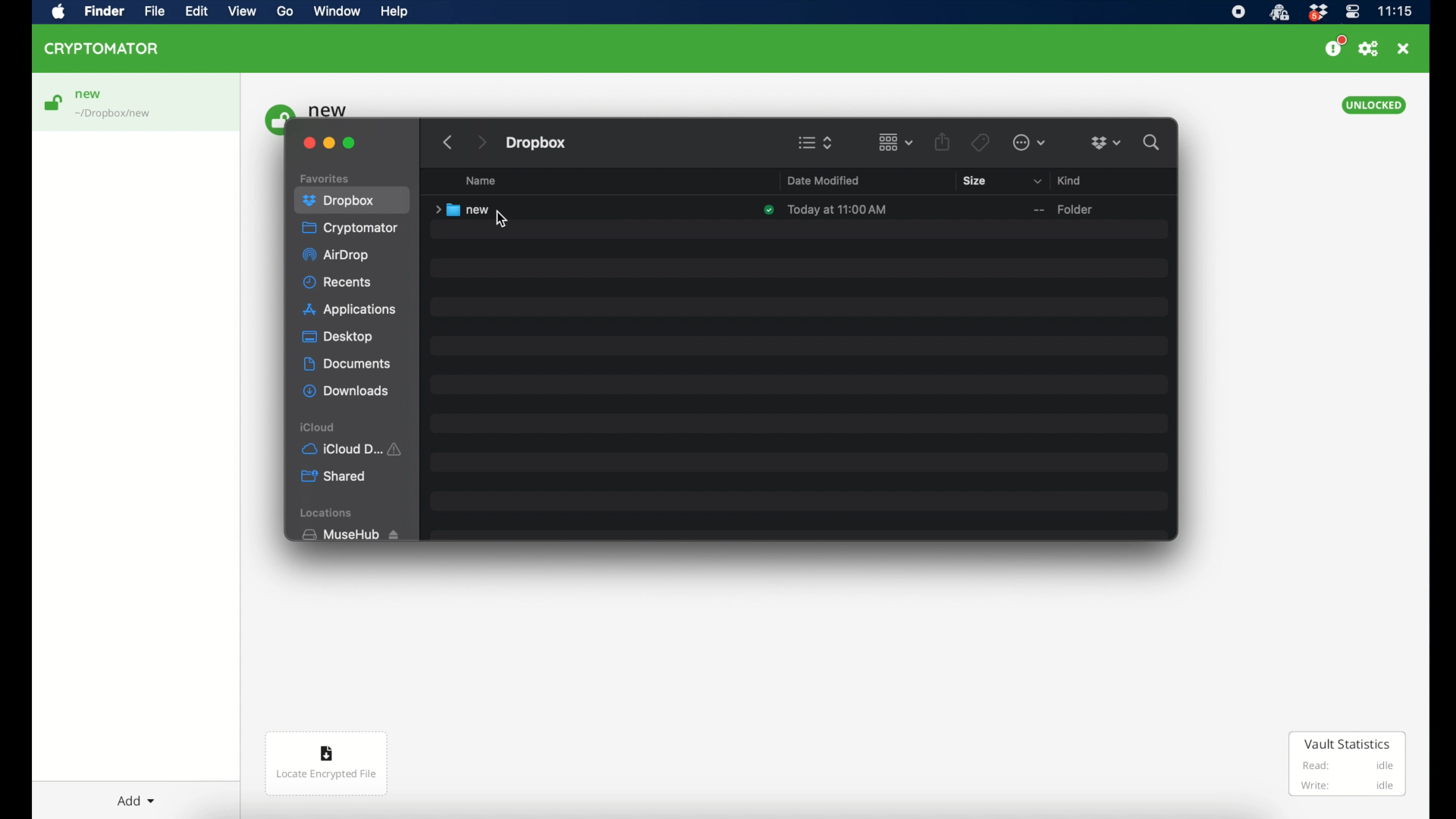  What do you see at coordinates (334, 476) in the screenshot?
I see `shared` at bounding box center [334, 476].